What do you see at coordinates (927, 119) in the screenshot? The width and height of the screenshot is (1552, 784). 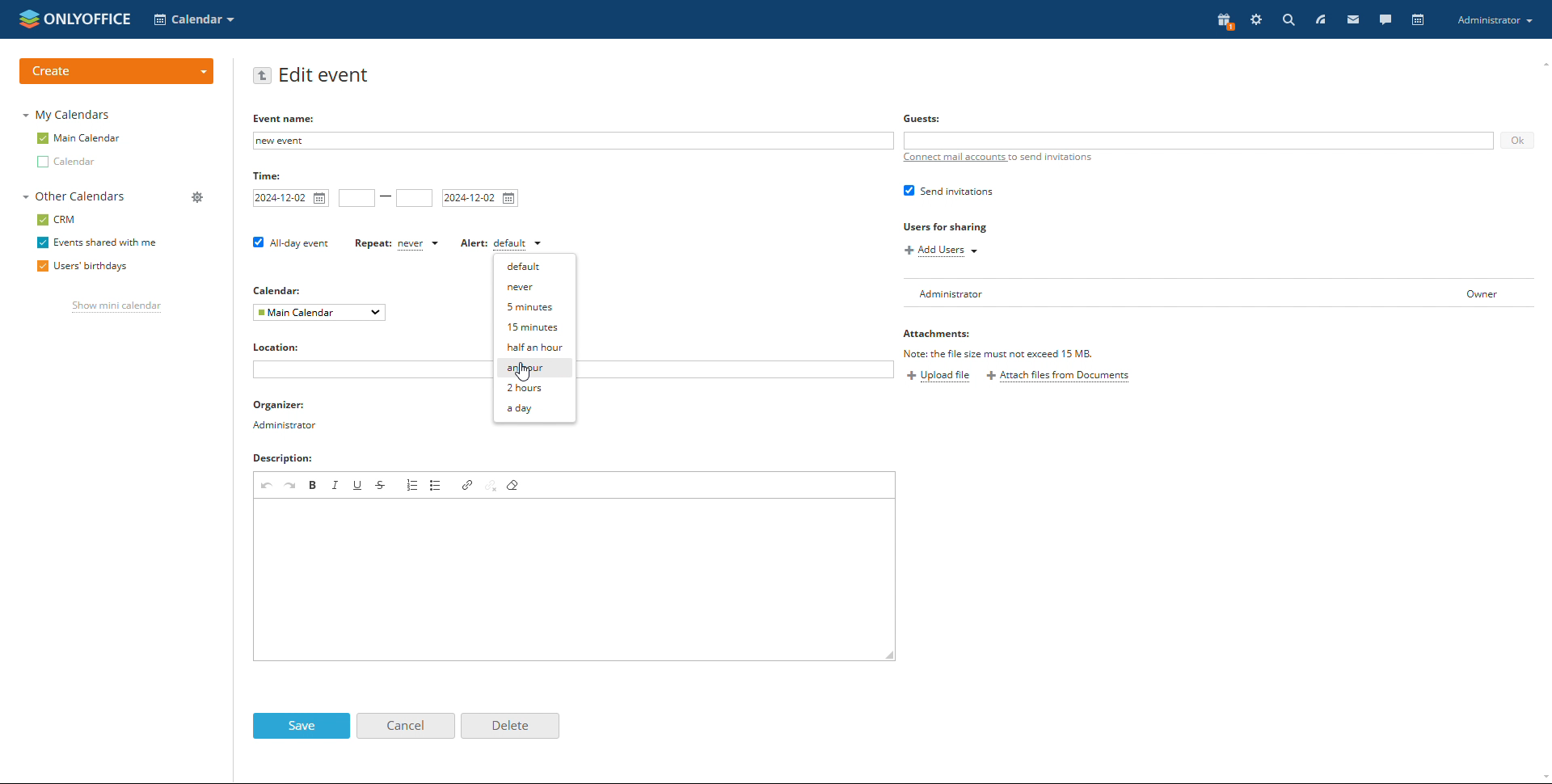 I see `Guests:` at bounding box center [927, 119].